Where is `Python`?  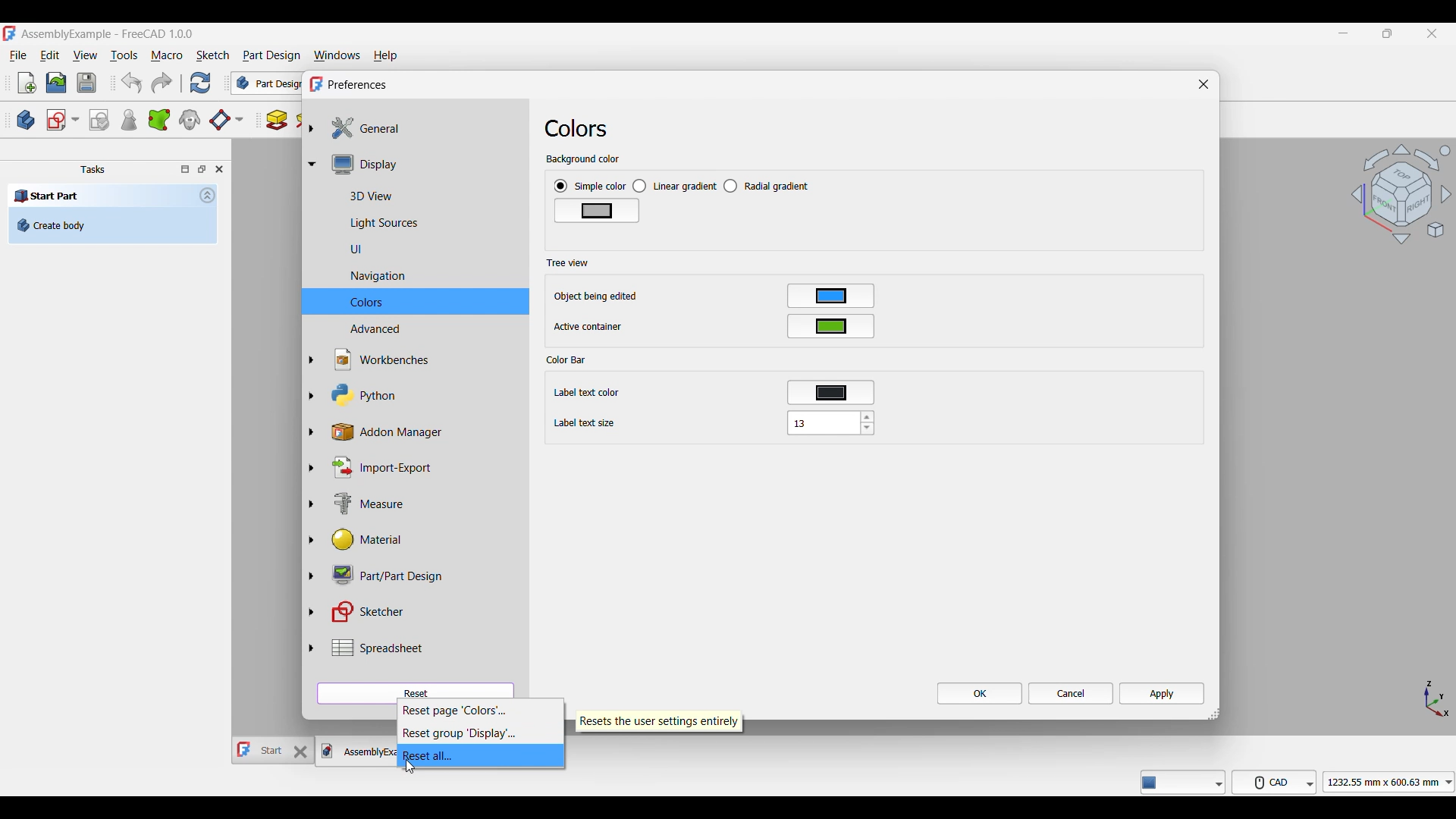
Python is located at coordinates (354, 395).